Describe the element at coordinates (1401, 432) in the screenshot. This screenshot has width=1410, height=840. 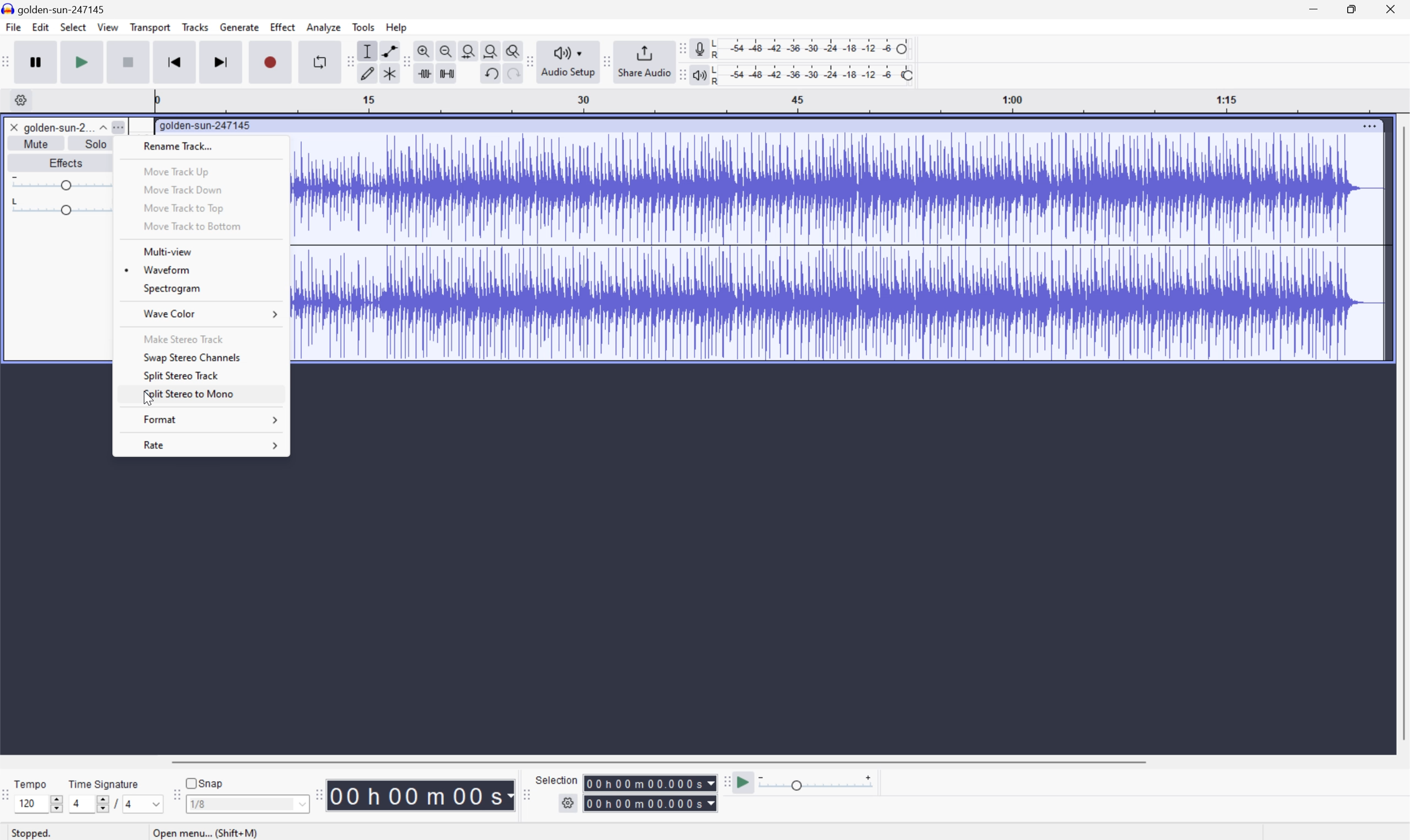
I see `Scroll Bar` at that location.